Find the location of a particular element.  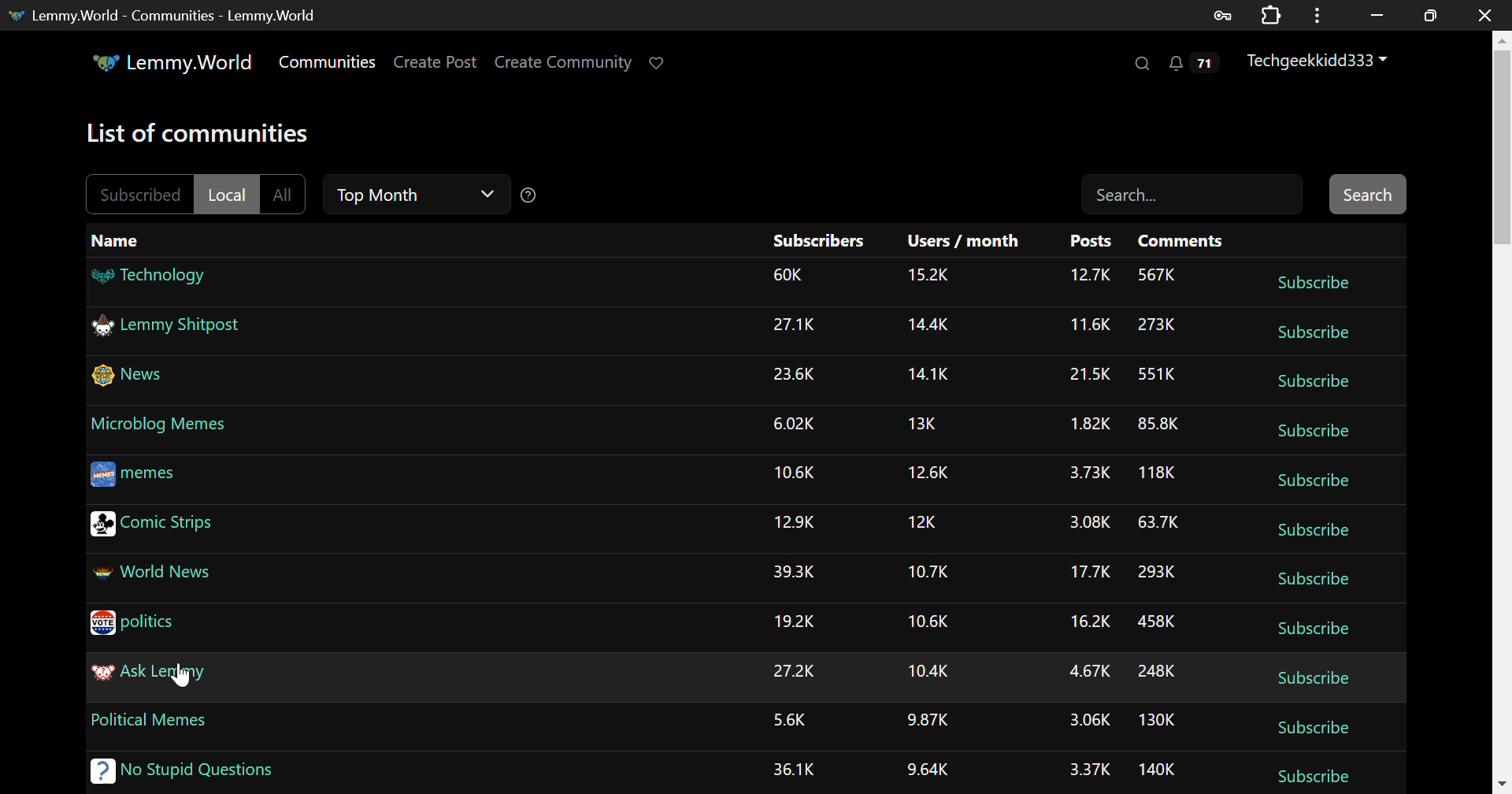

Amount is located at coordinates (1156, 276).